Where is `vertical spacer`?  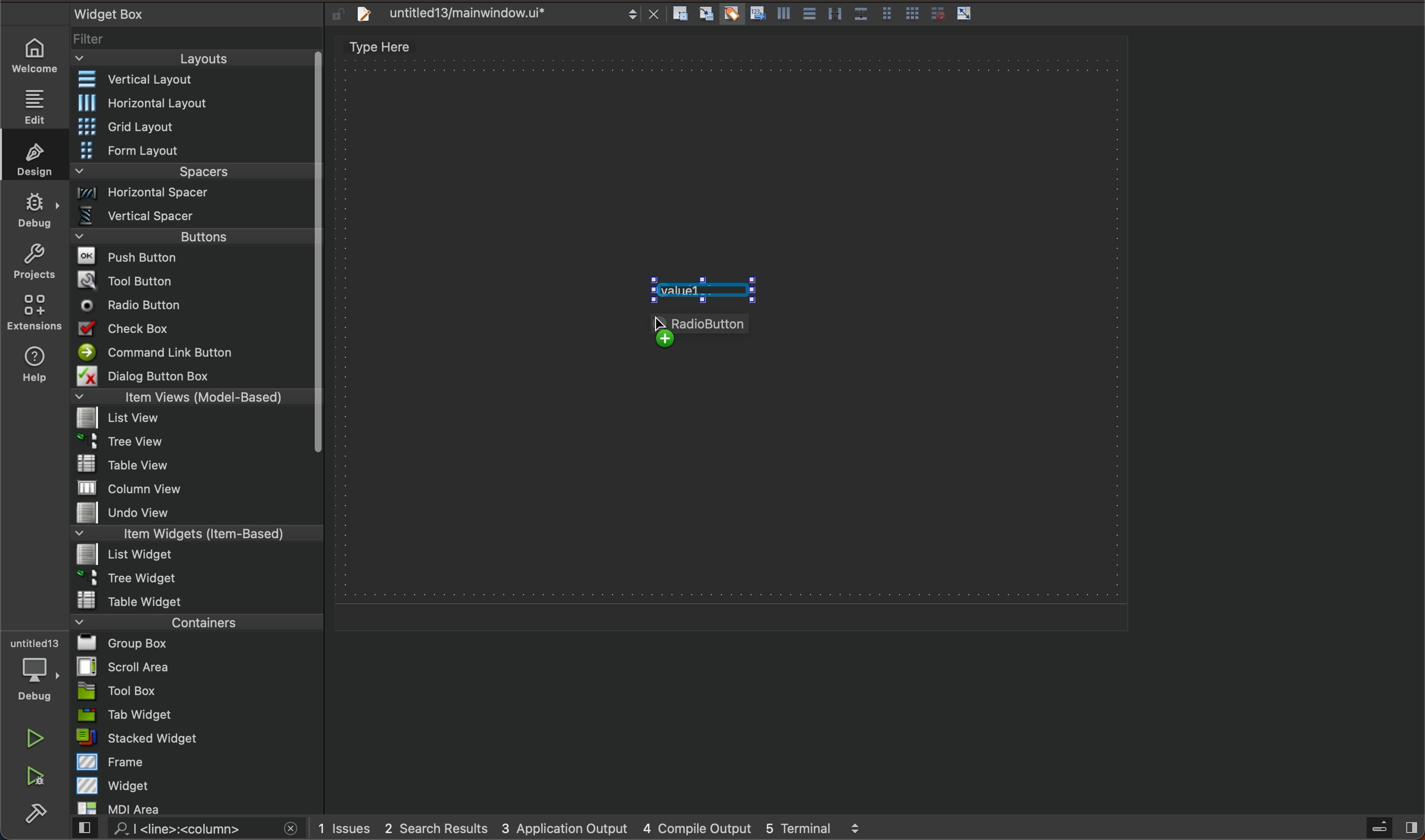 vertical spacer is located at coordinates (192, 218).